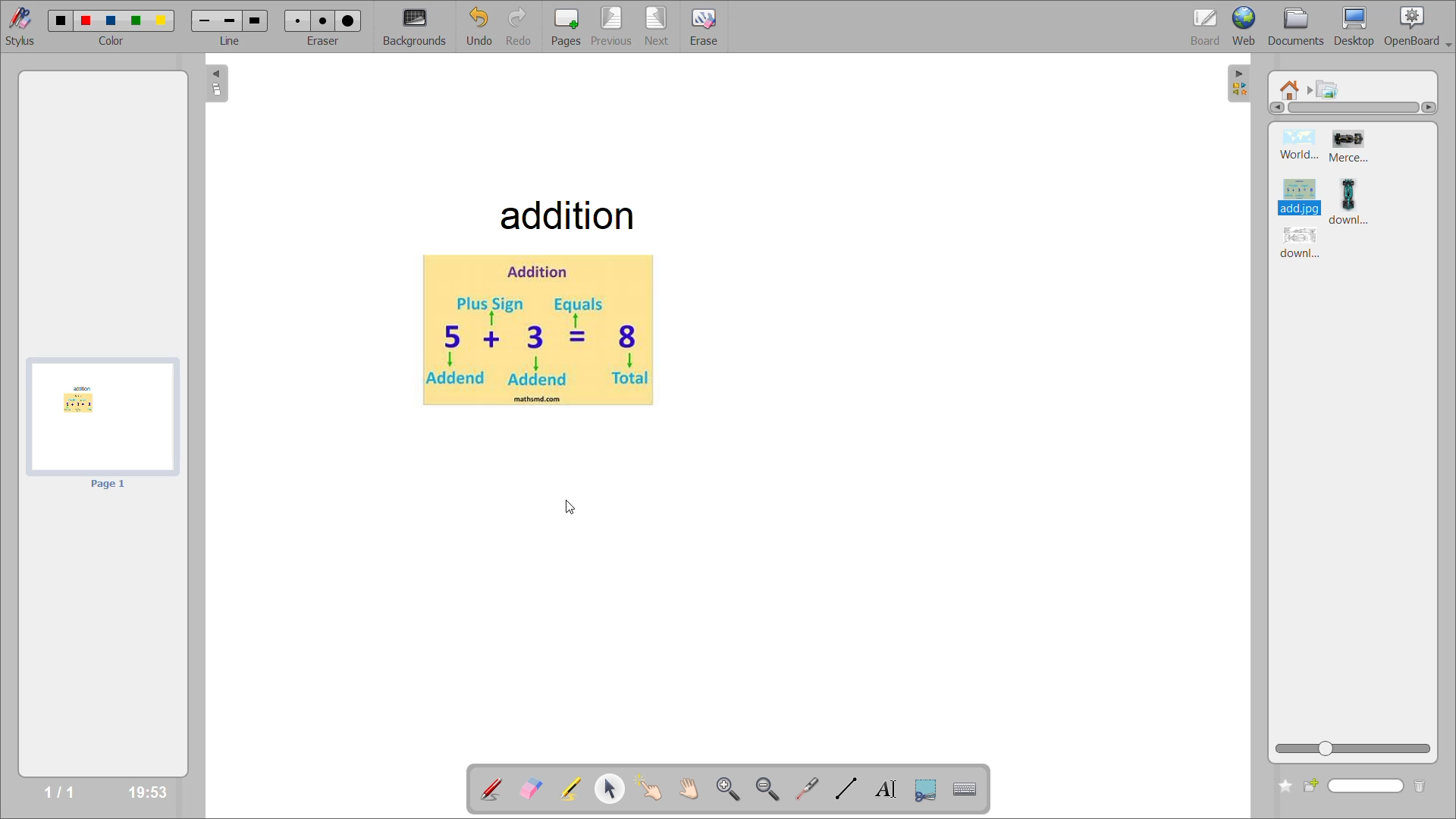  What do you see at coordinates (927, 790) in the screenshot?
I see `capture part of the screen` at bounding box center [927, 790].